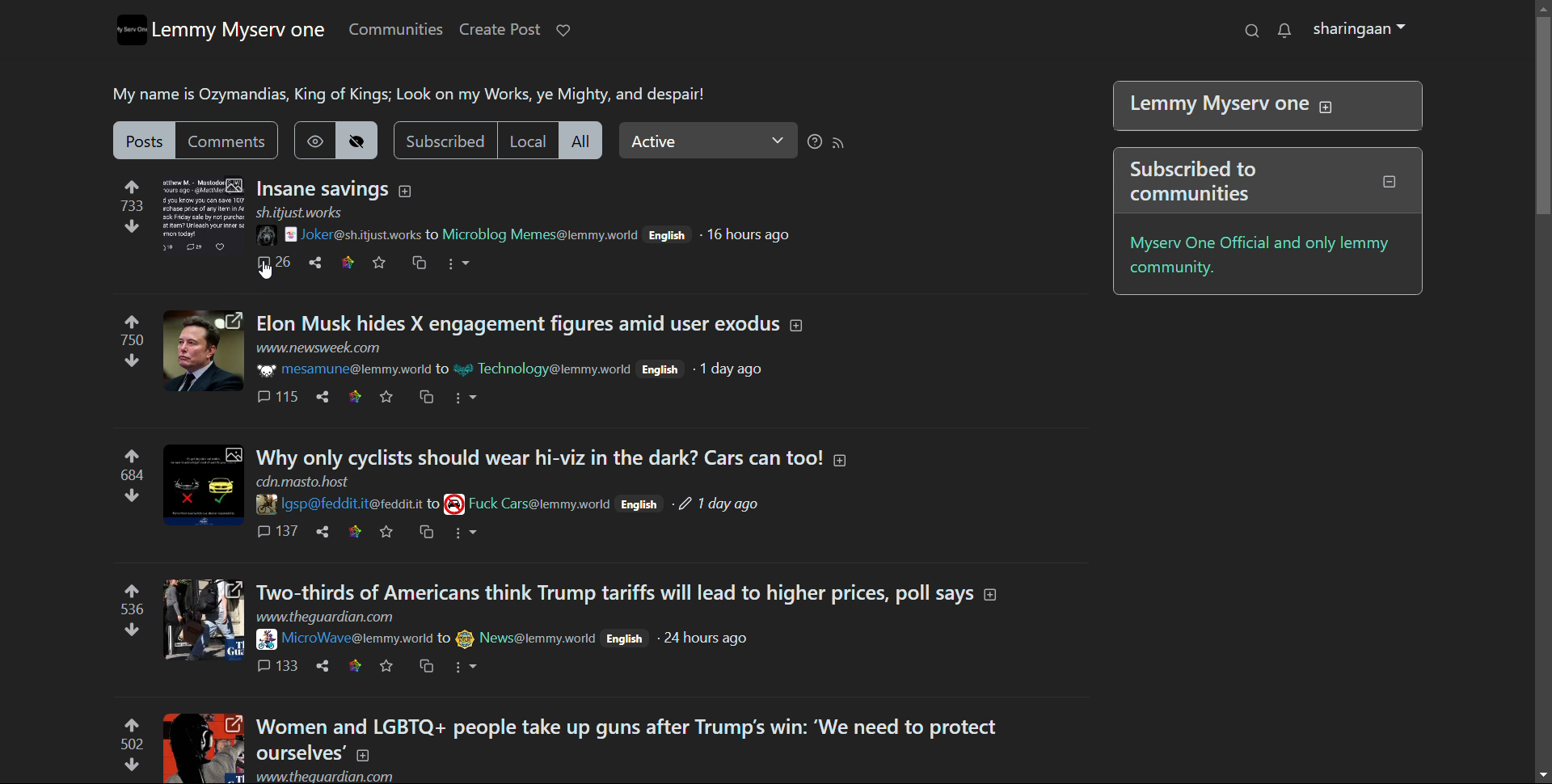 The height and width of the screenshot is (784, 1552). What do you see at coordinates (386, 397) in the screenshot?
I see `favorite` at bounding box center [386, 397].